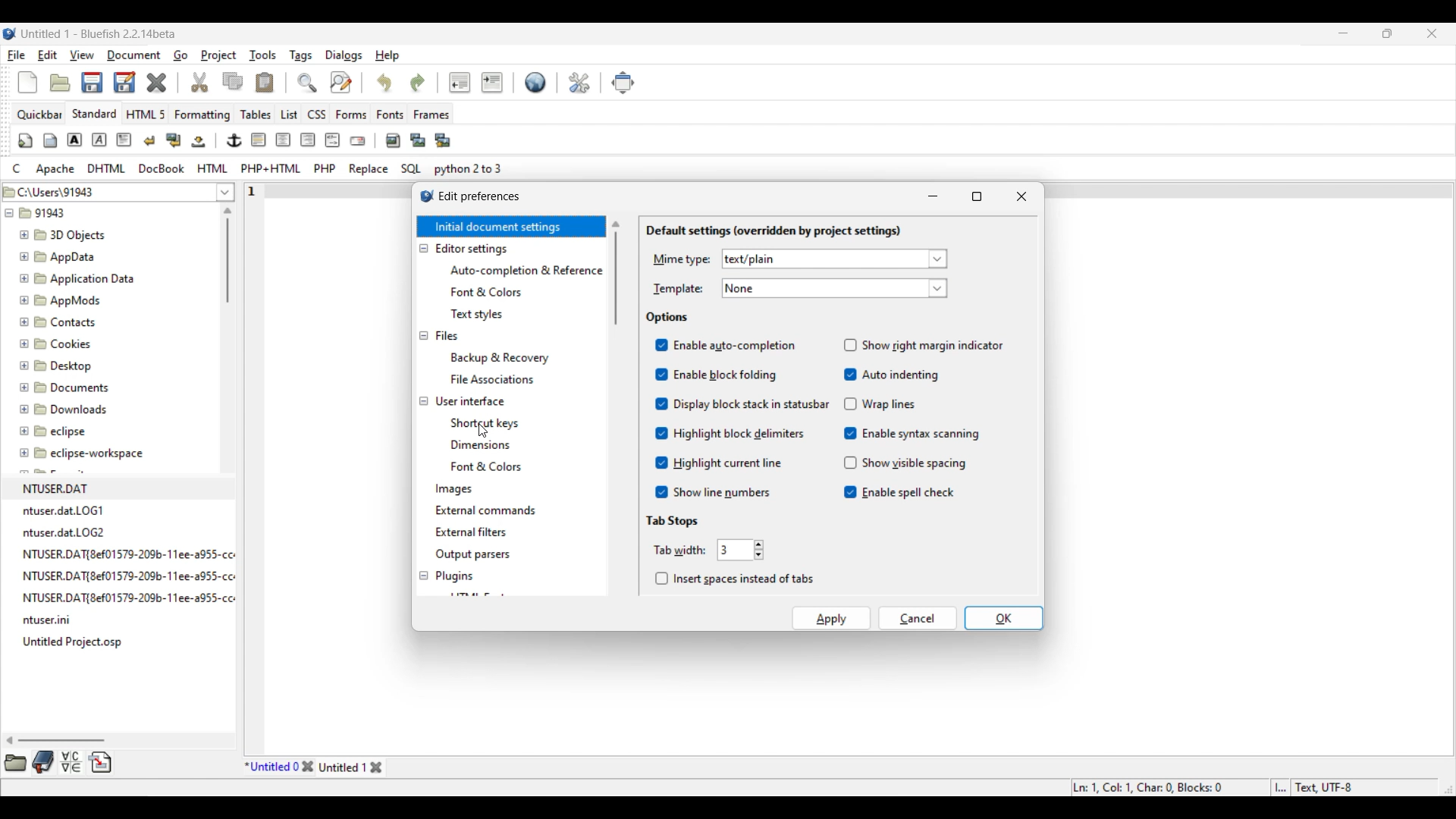 This screenshot has width=1456, height=819. What do you see at coordinates (734, 579) in the screenshot?
I see `Toggle for insert spaces instead tabs` at bounding box center [734, 579].